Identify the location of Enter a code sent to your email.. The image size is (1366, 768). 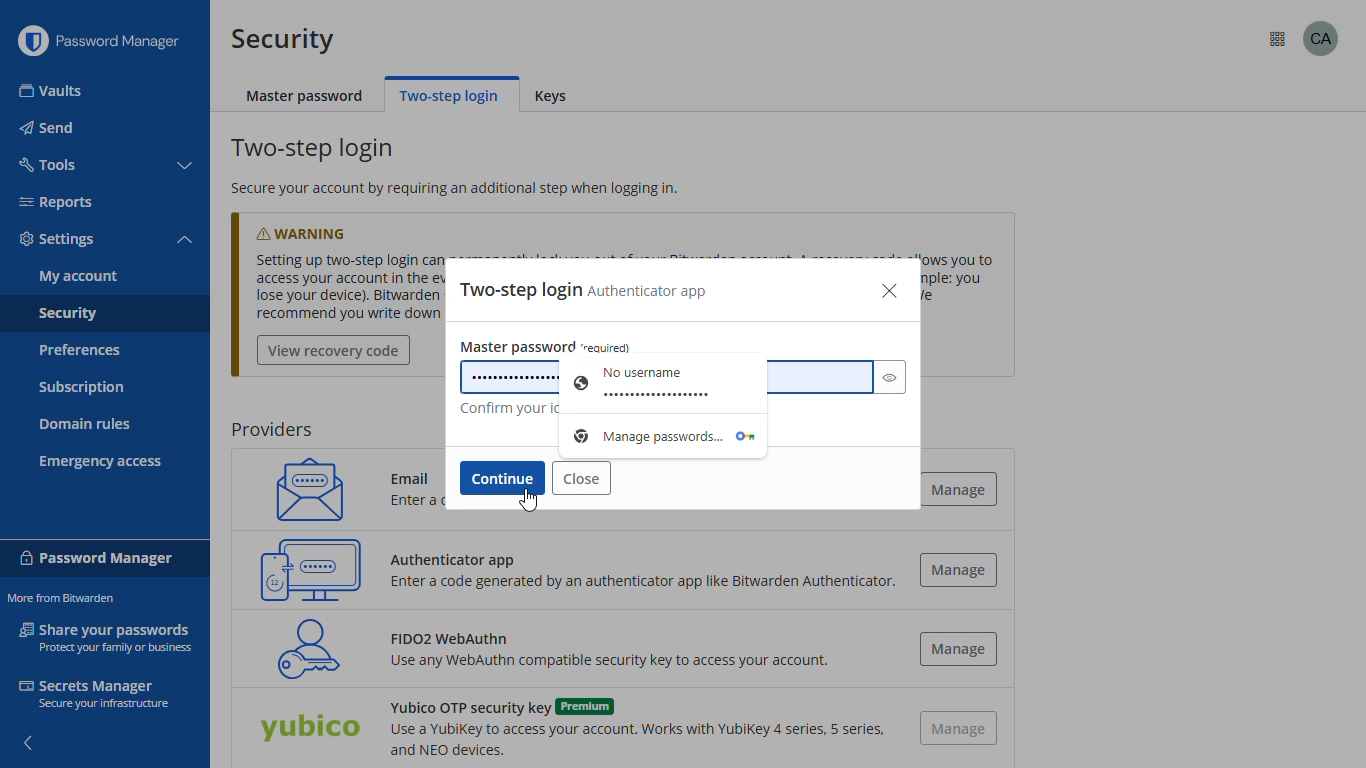
(413, 504).